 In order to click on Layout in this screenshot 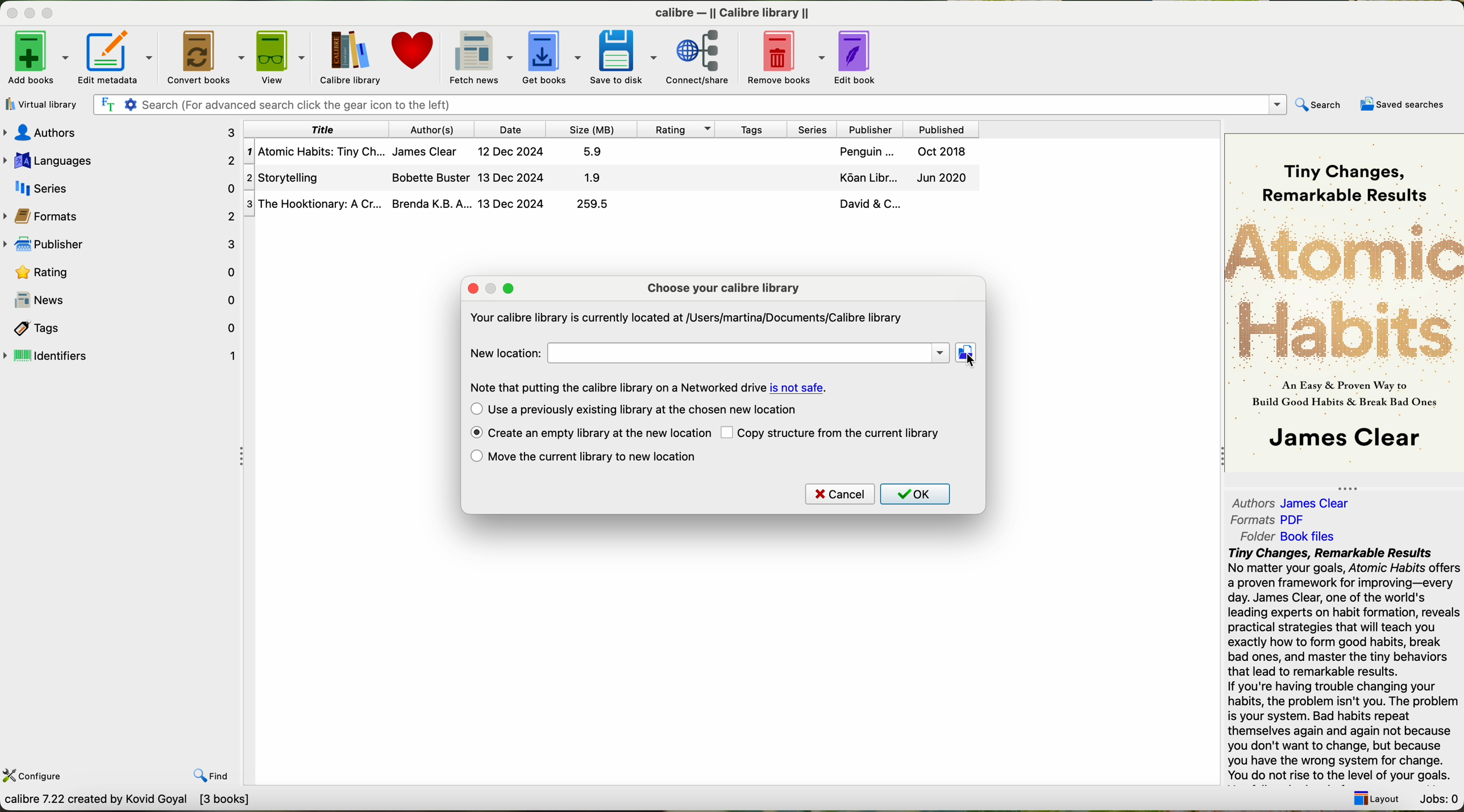, I will do `click(1373, 795)`.